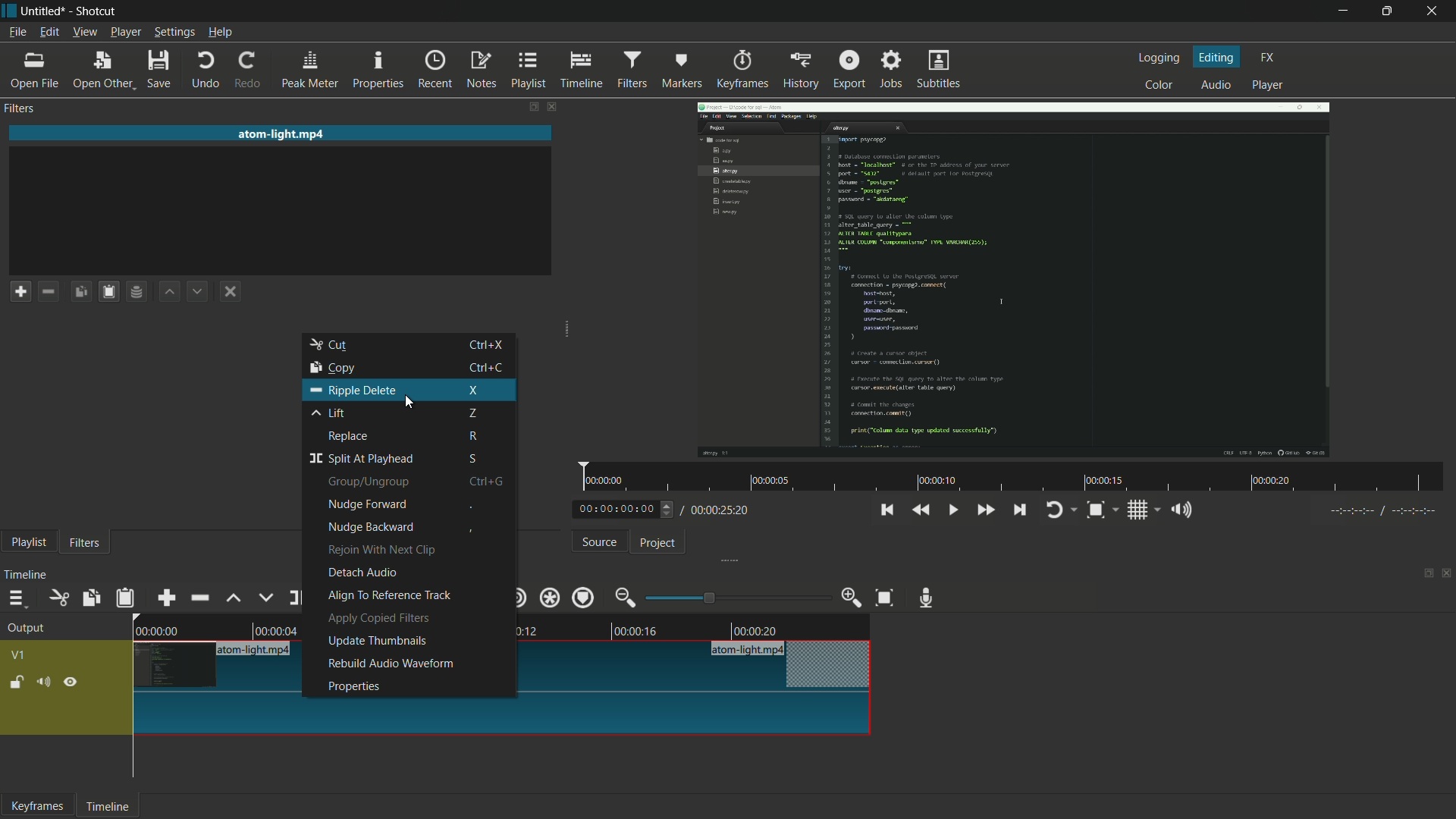 The image size is (1456, 819). I want to click on fx, so click(1268, 58).